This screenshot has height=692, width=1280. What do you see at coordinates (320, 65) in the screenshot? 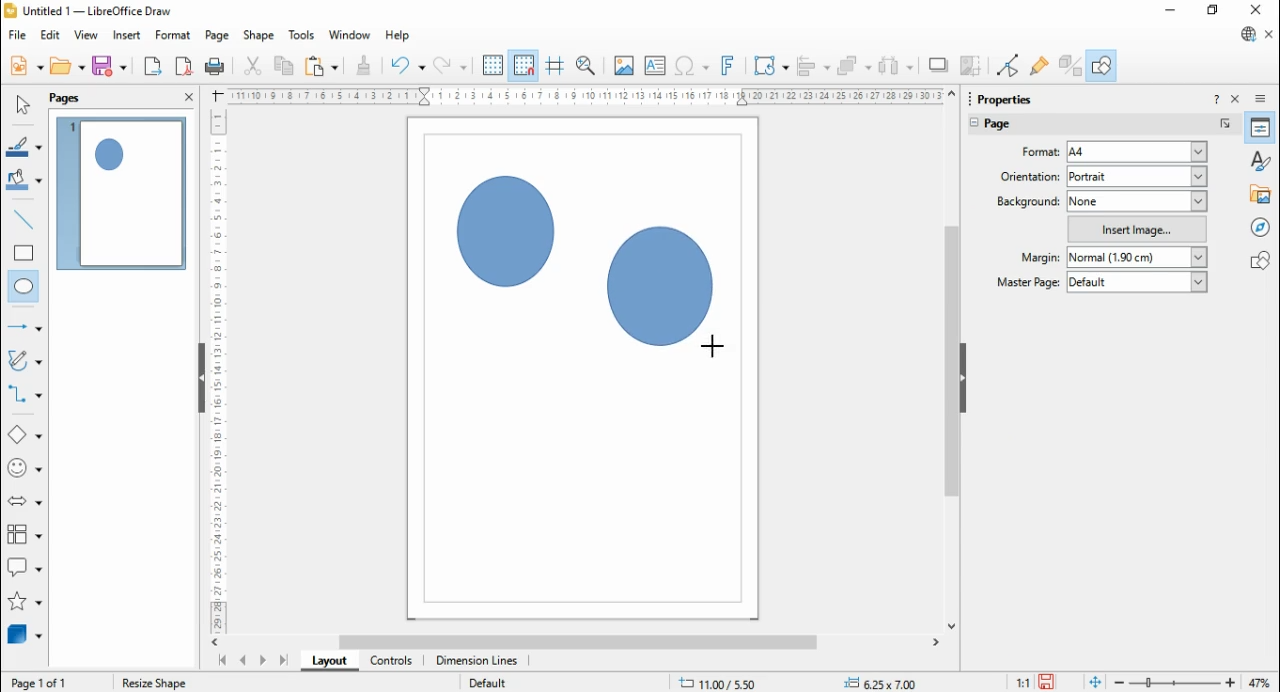
I see `paste` at bounding box center [320, 65].